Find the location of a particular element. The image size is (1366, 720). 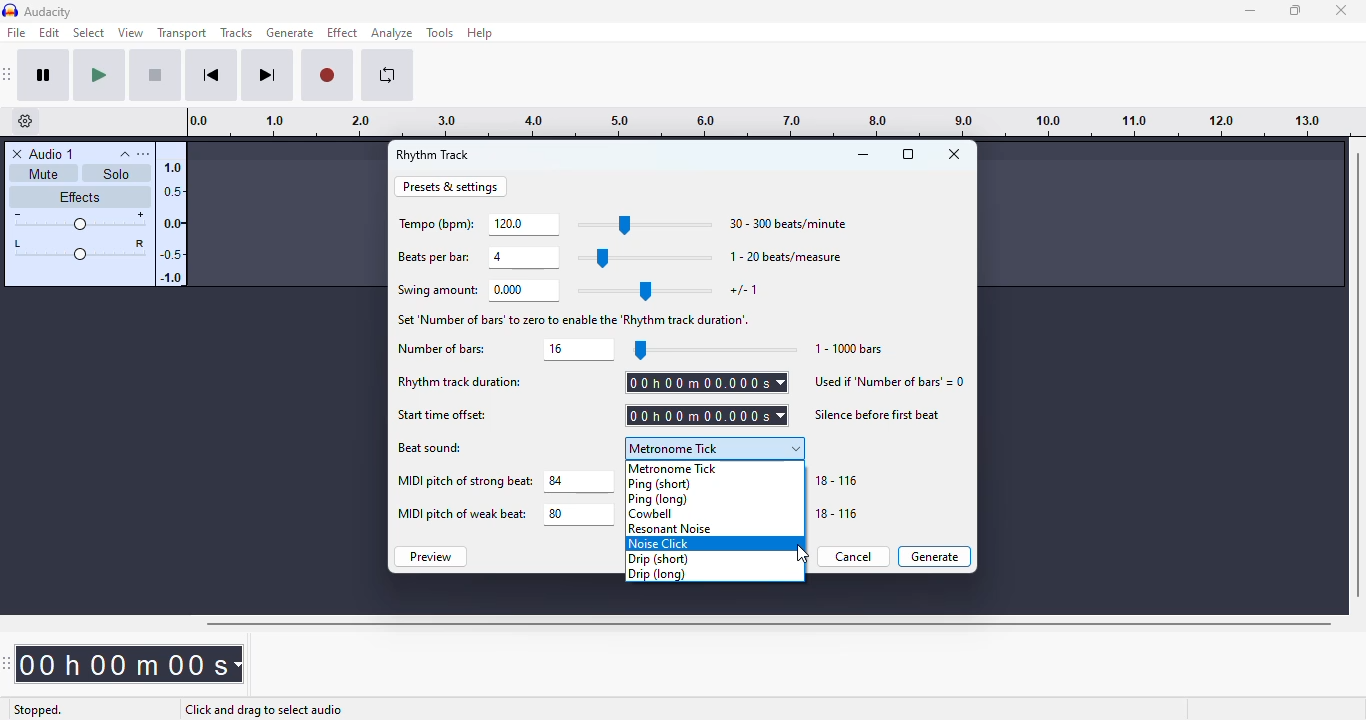

close is located at coordinates (1340, 10).